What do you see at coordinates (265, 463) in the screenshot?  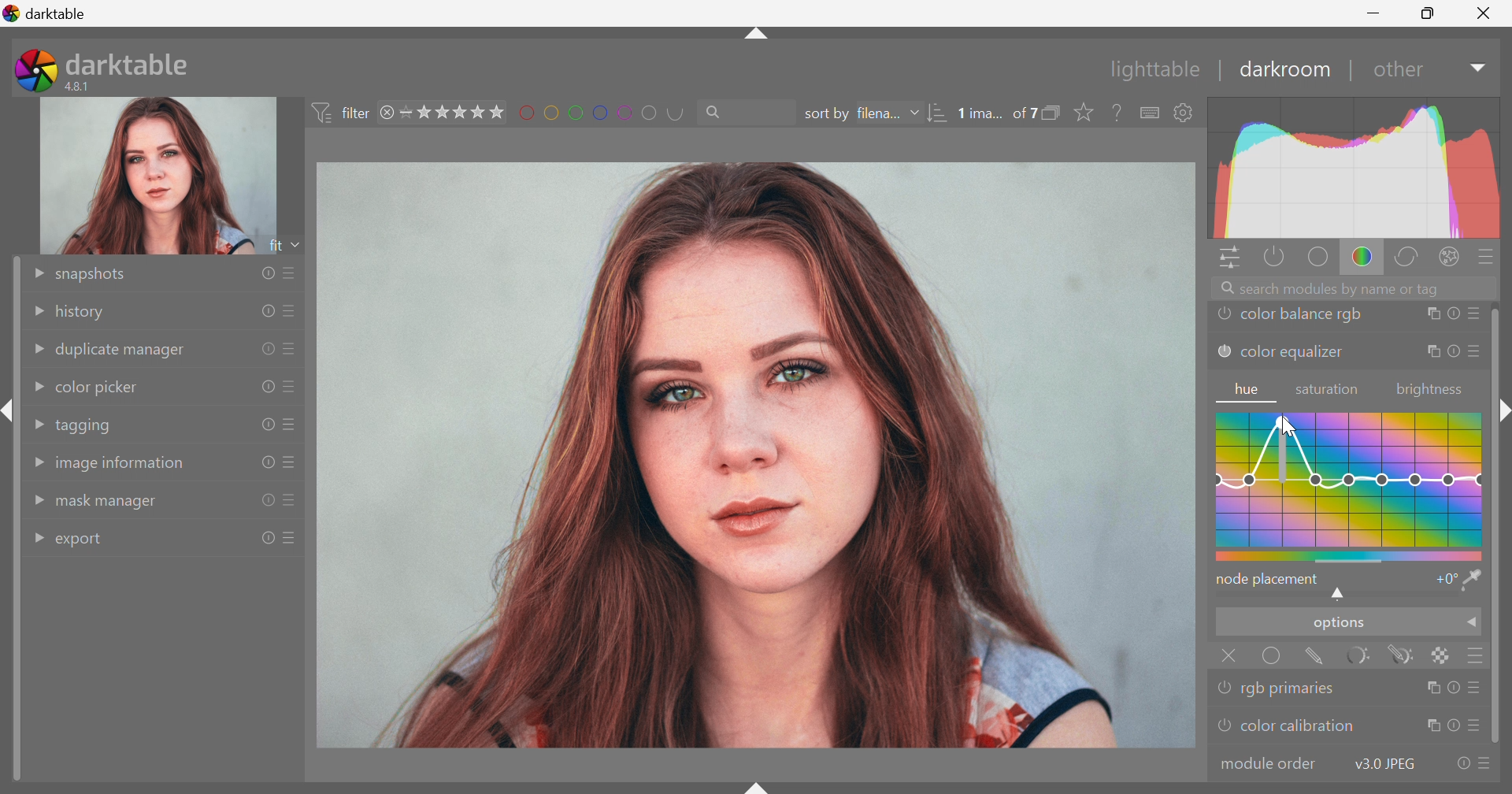 I see `reset` at bounding box center [265, 463].